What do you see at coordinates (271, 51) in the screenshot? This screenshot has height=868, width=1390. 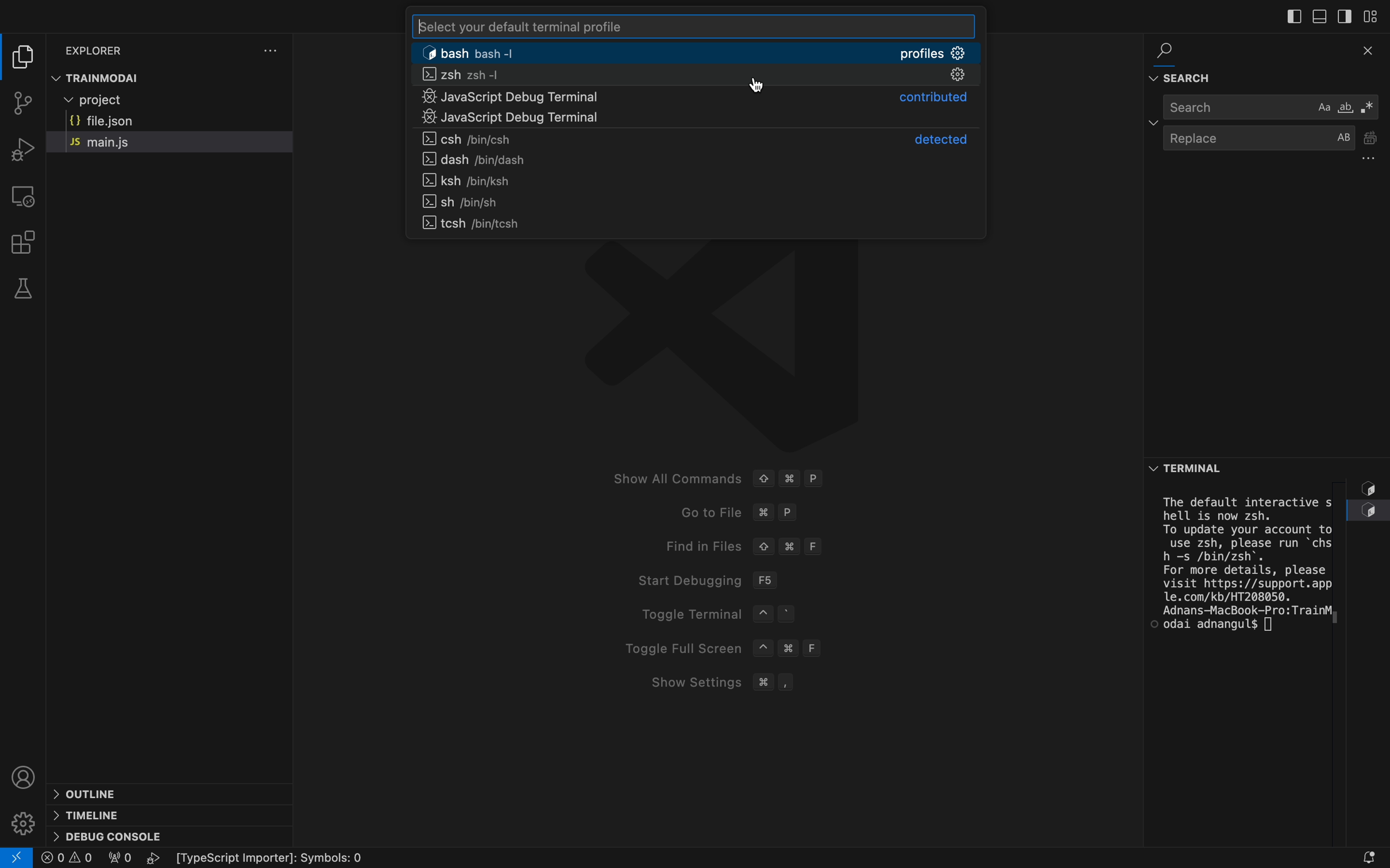 I see `settingd` at bounding box center [271, 51].